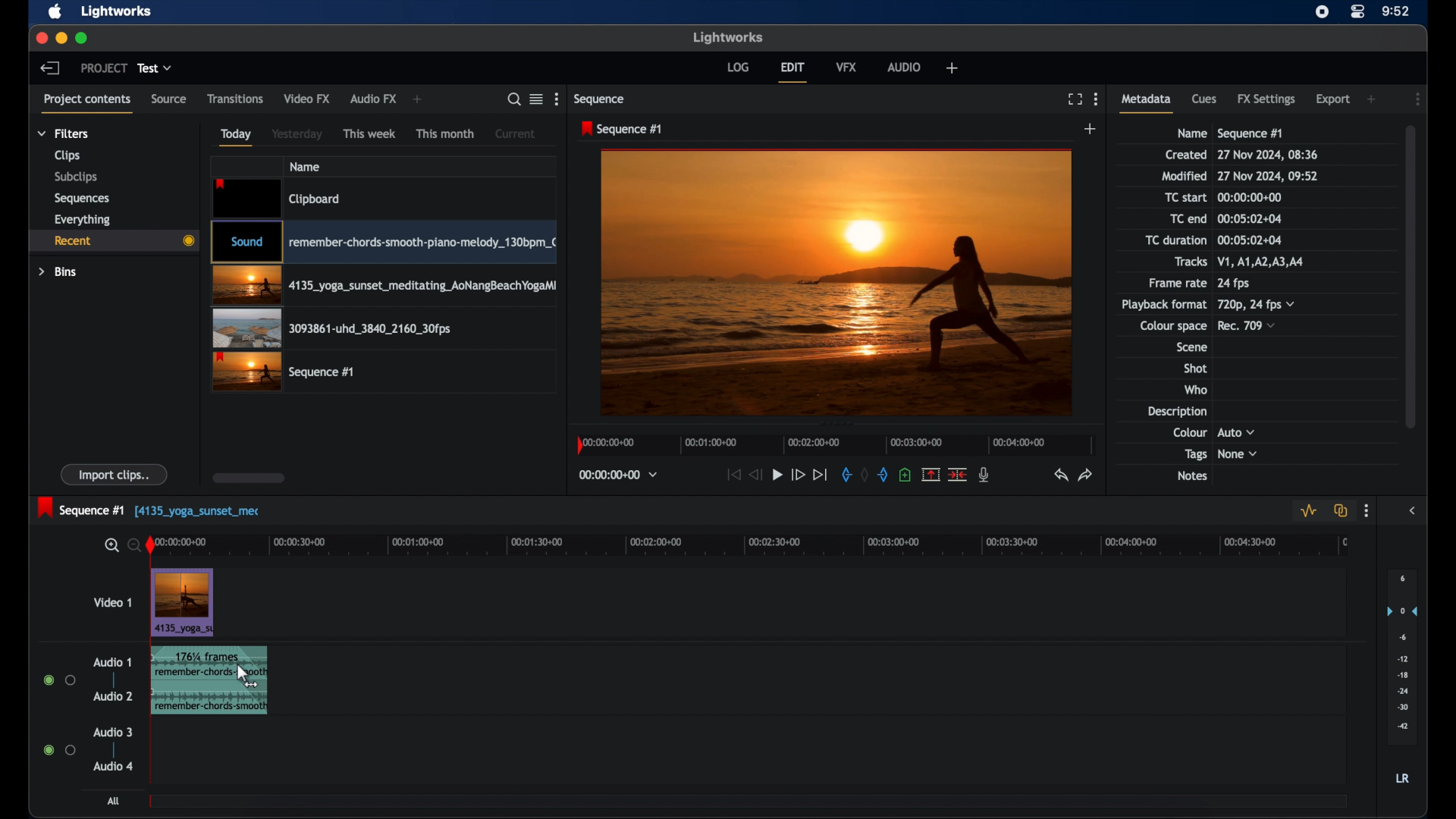  I want to click on toggle audio levels editing, so click(1307, 511).